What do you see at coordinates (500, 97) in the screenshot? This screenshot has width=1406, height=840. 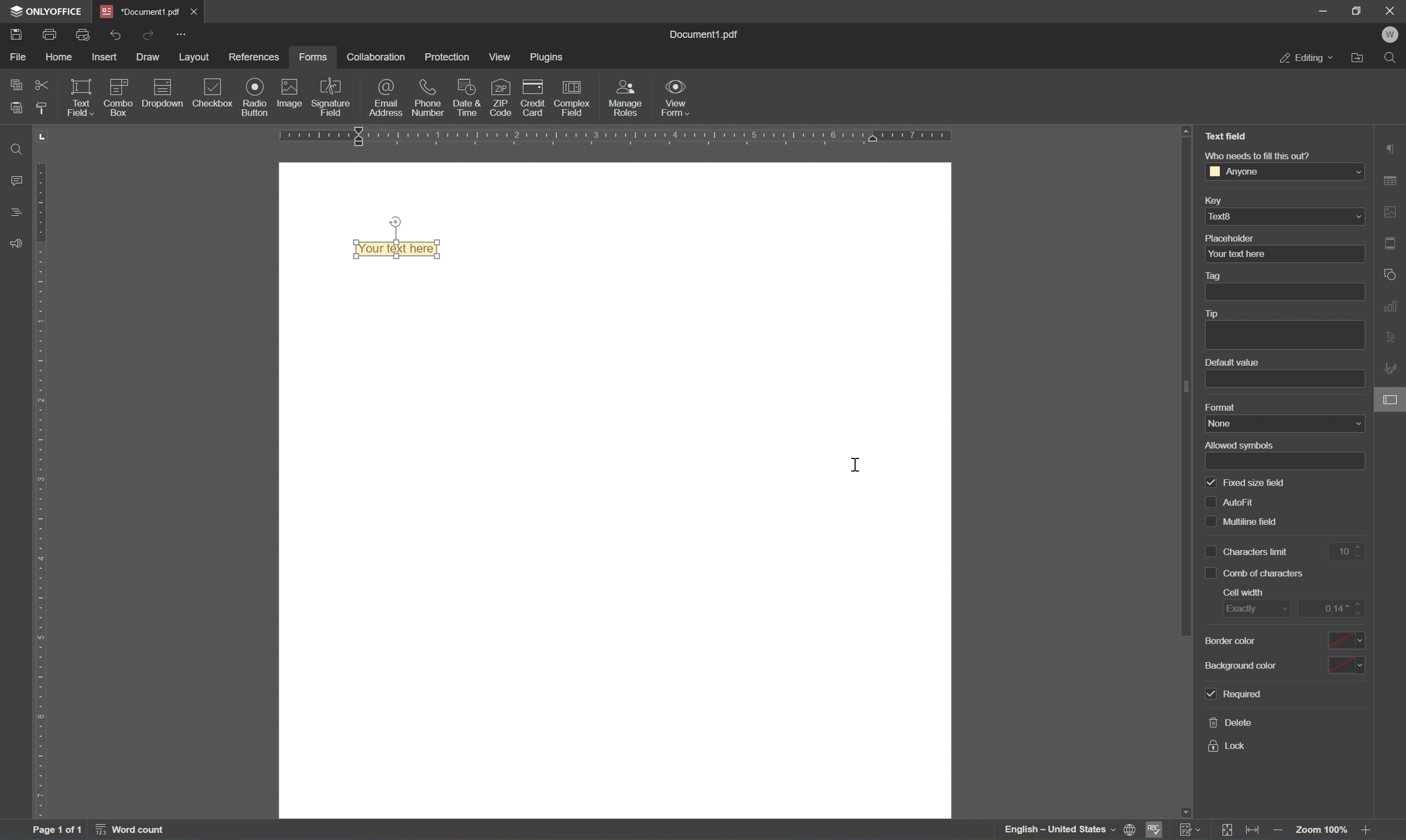 I see `zip code` at bounding box center [500, 97].